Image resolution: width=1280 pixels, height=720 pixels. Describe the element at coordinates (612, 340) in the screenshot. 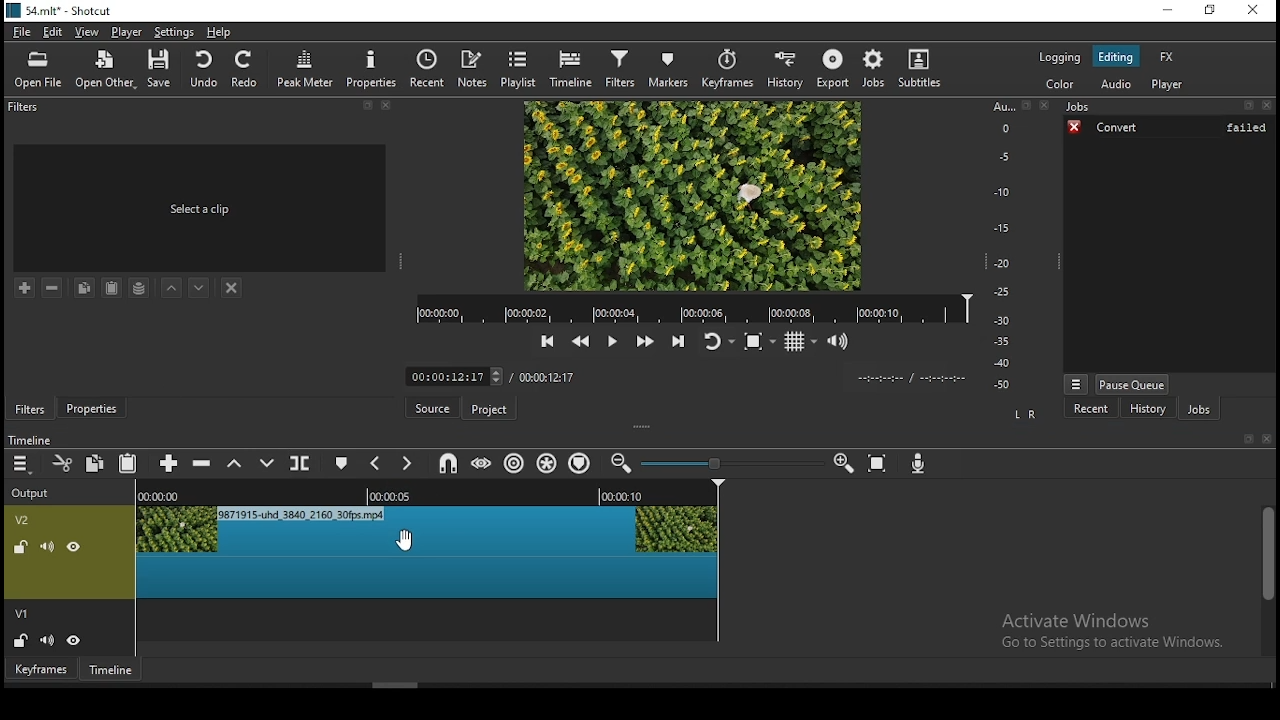

I see `play/pause` at that location.